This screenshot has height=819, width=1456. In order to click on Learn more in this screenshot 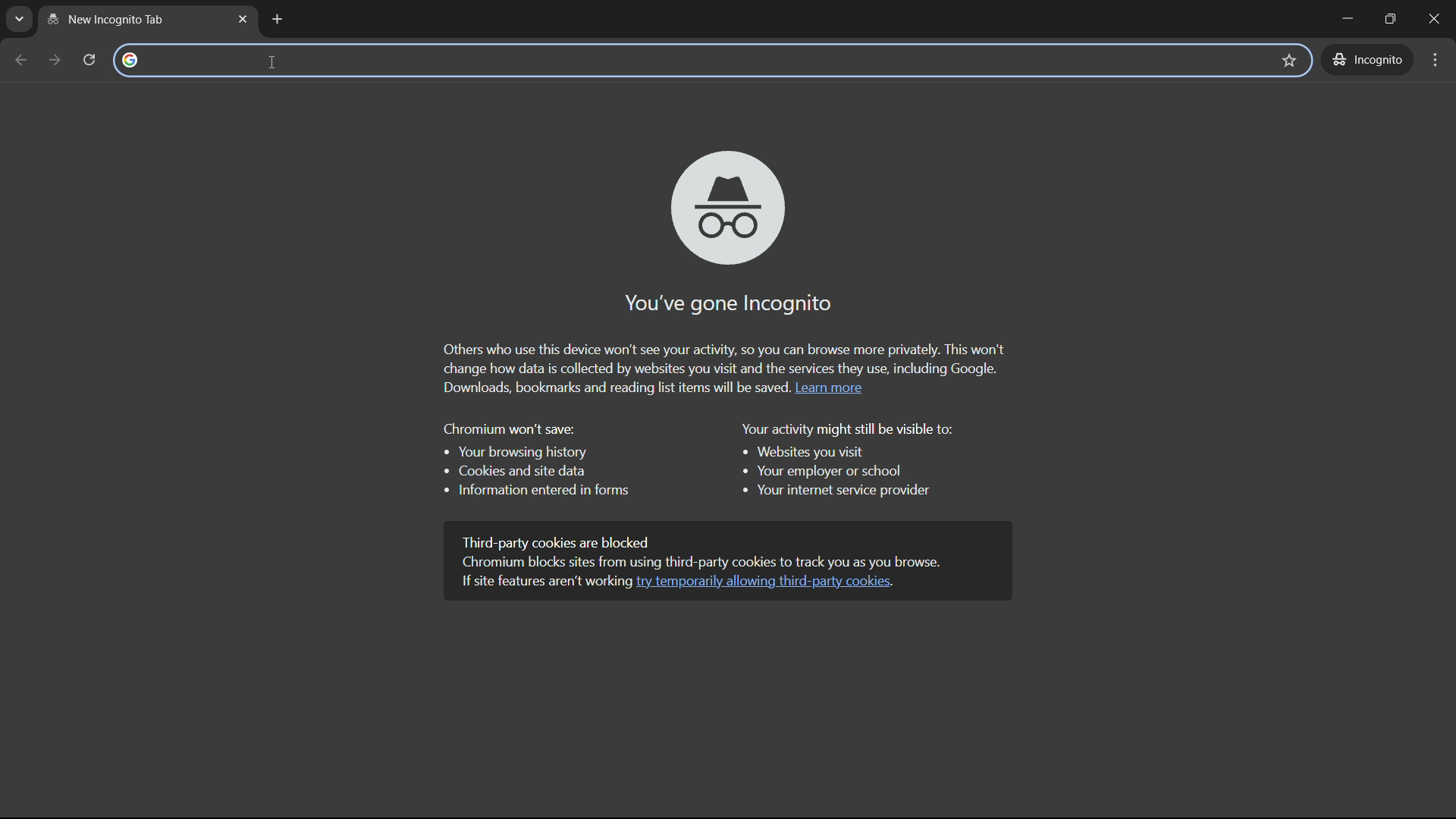, I will do `click(828, 388)`.